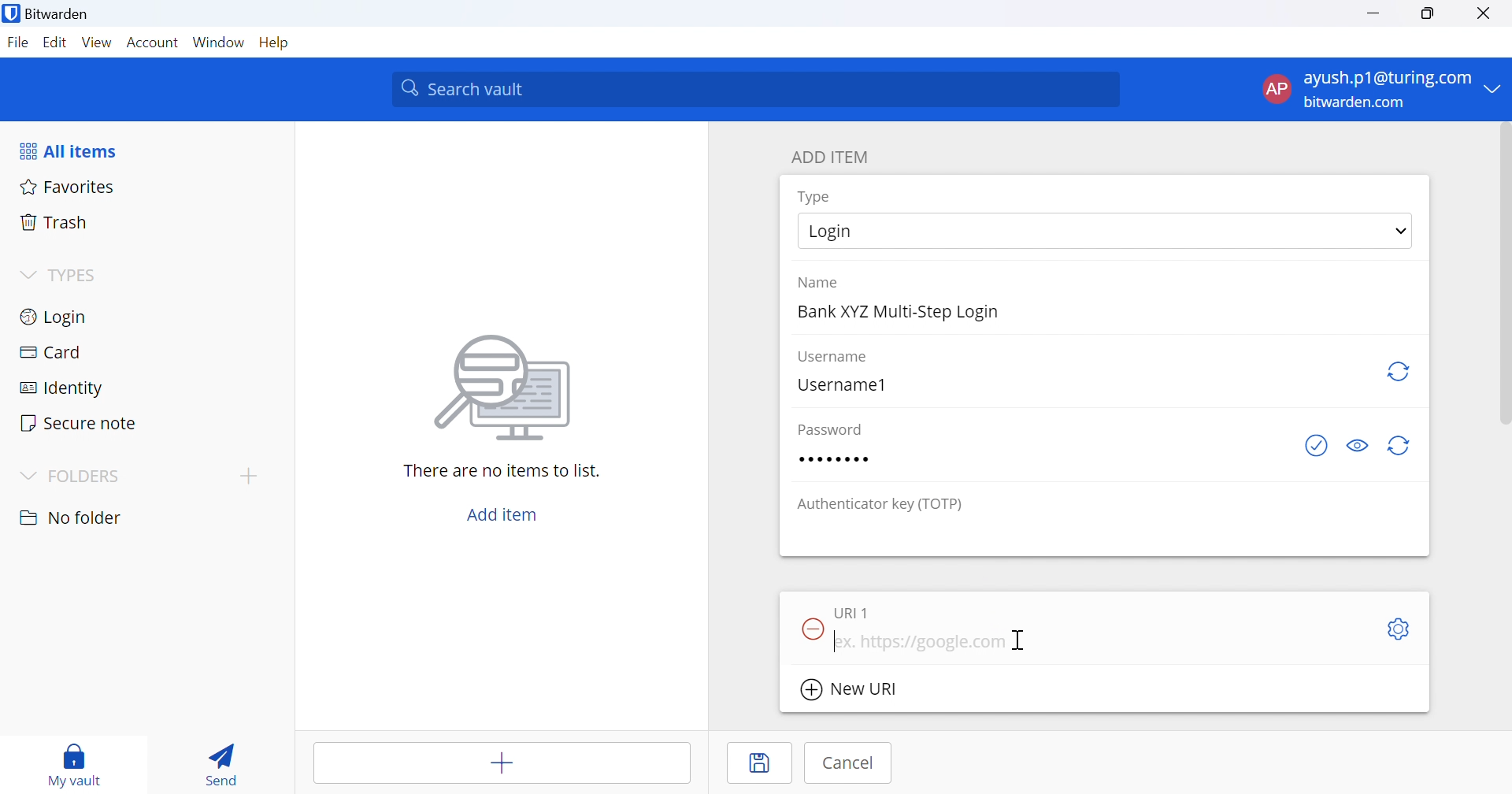 The height and width of the screenshot is (794, 1512). Describe the element at coordinates (758, 89) in the screenshot. I see `Search vault` at that location.